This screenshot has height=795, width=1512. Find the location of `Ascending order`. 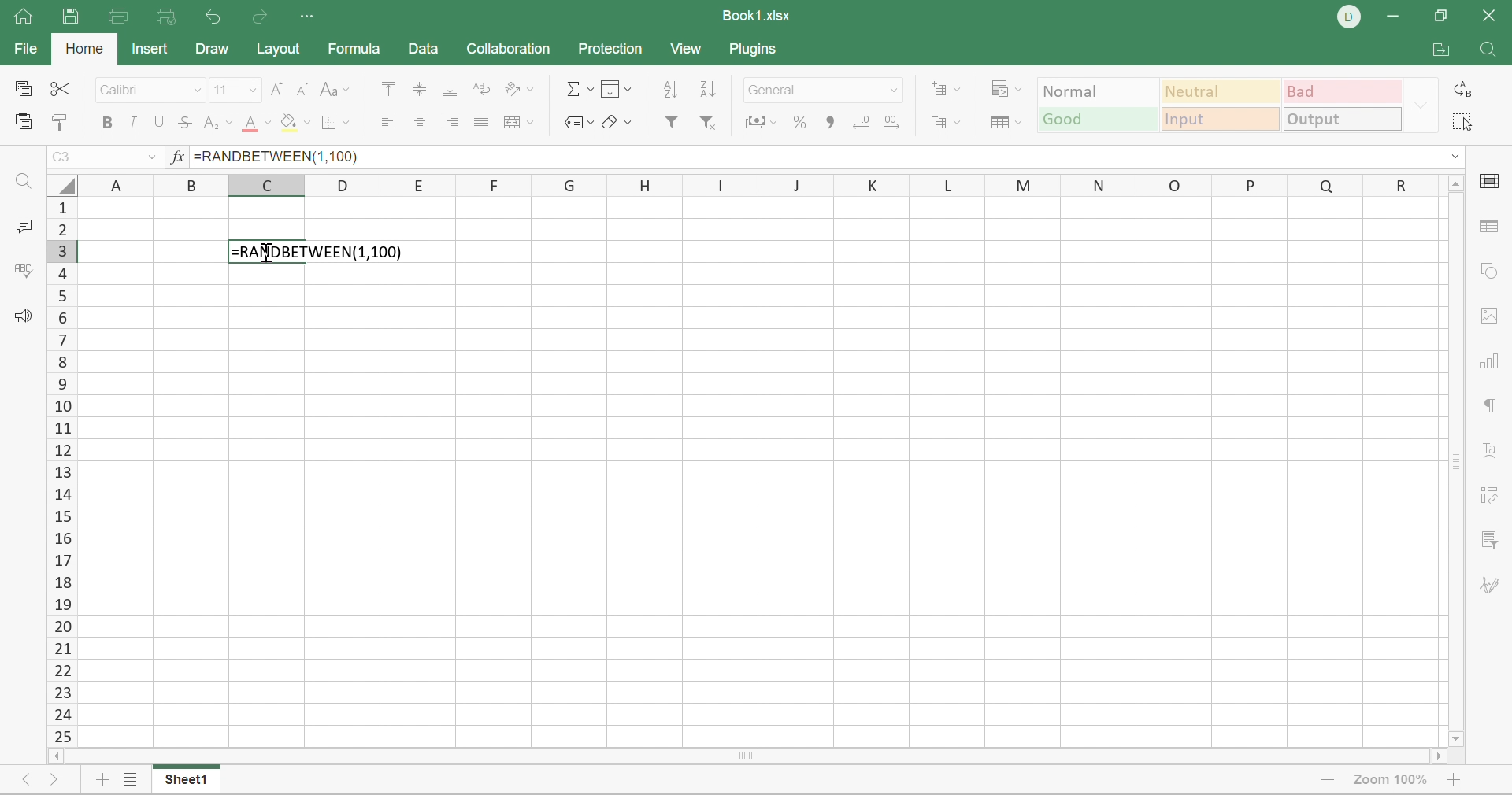

Ascending order is located at coordinates (669, 90).